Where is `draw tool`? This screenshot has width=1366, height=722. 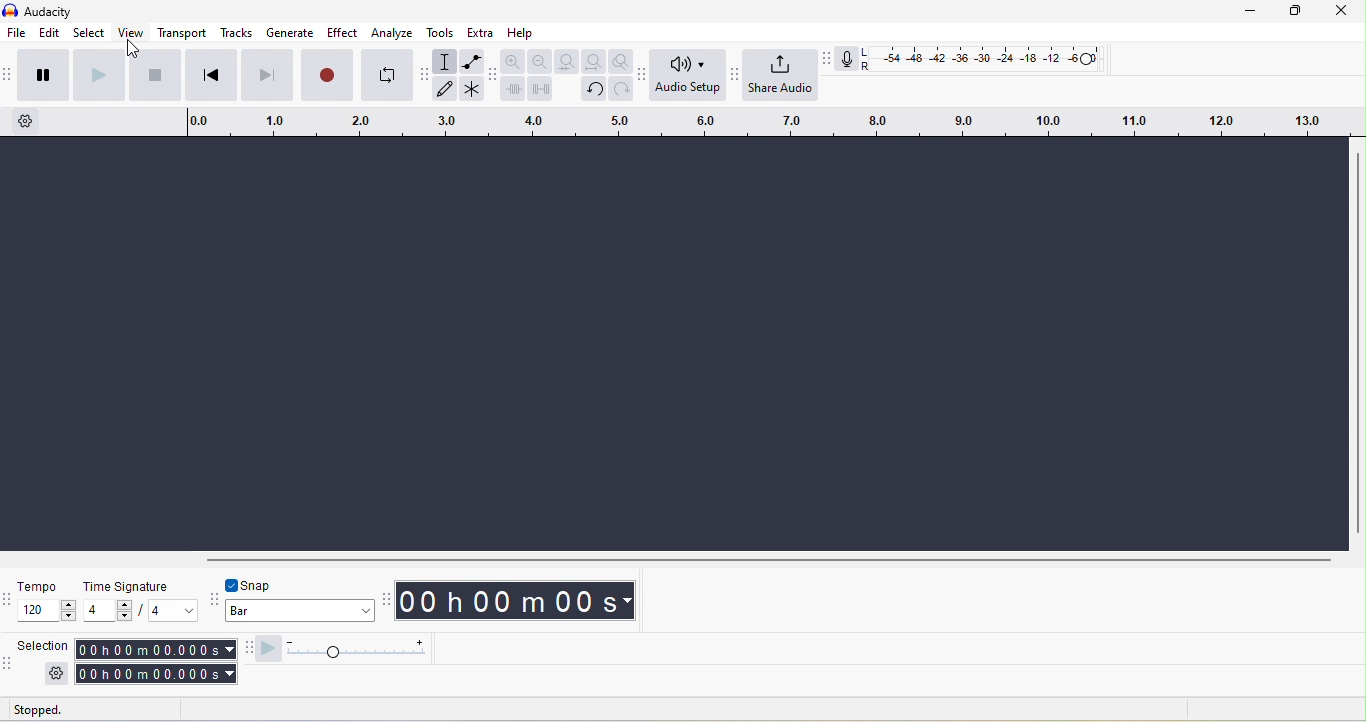 draw tool is located at coordinates (444, 88).